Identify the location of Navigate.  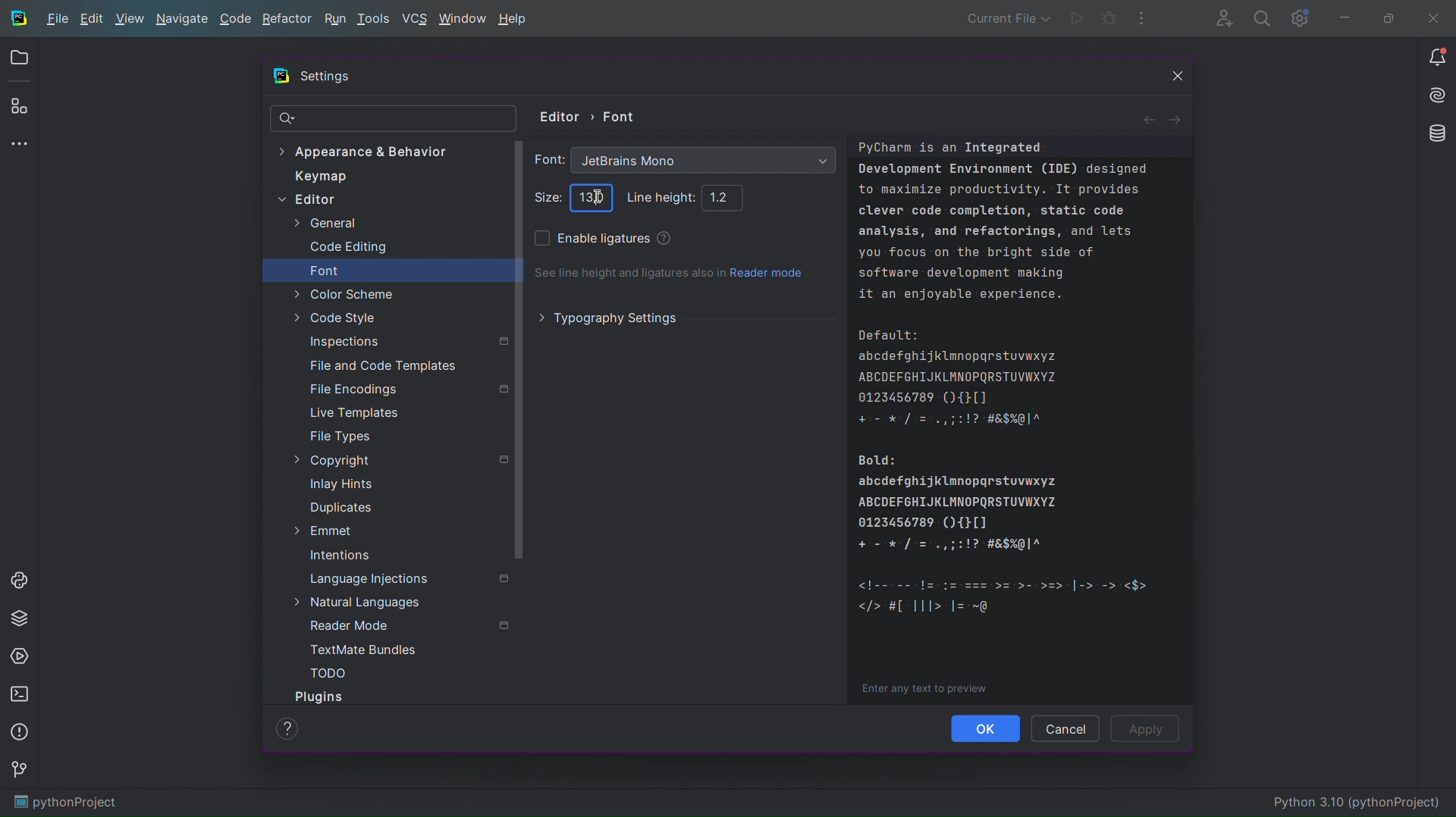
(183, 21).